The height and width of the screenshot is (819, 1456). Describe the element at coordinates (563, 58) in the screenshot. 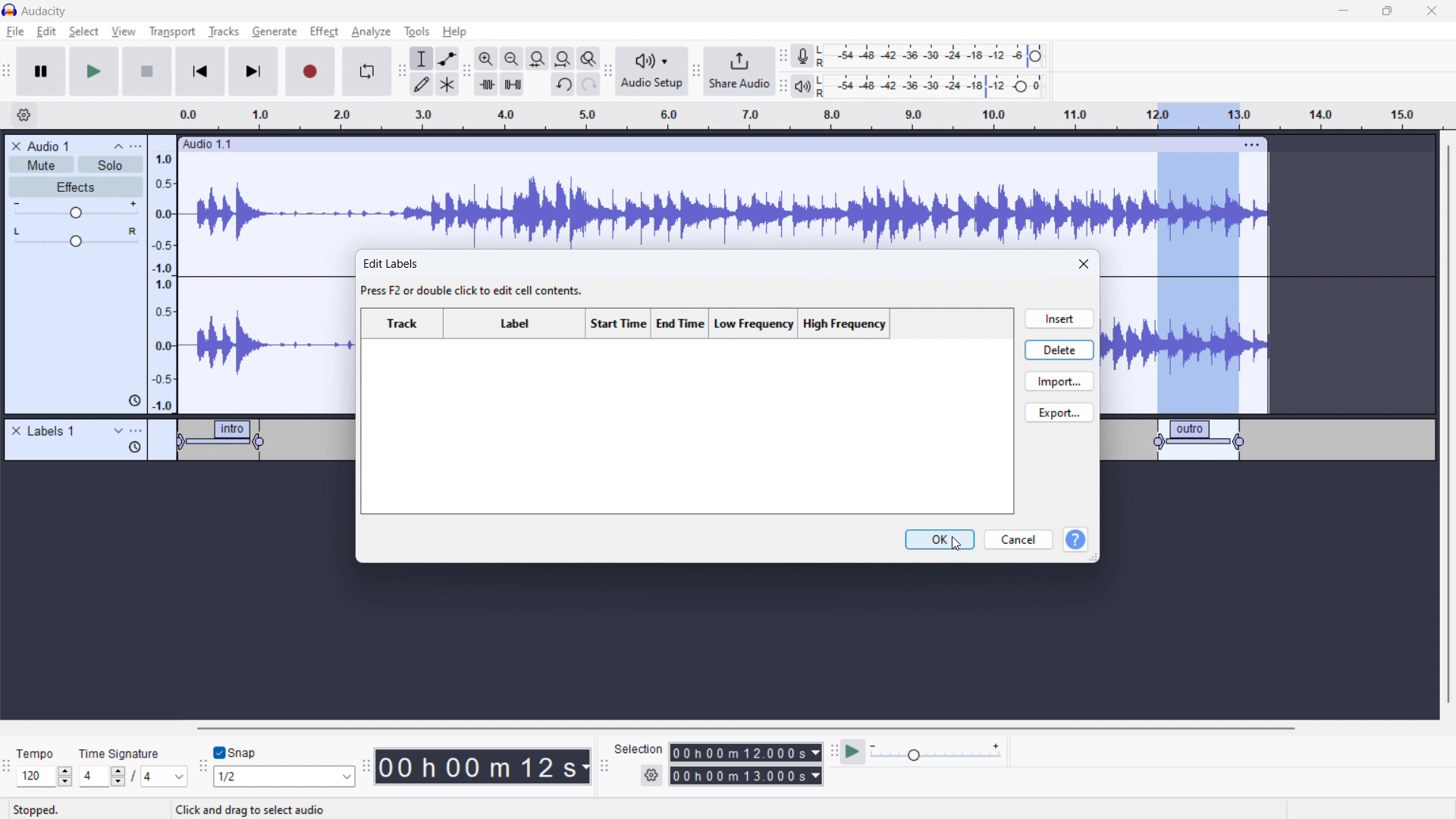

I see `set project to width` at that location.